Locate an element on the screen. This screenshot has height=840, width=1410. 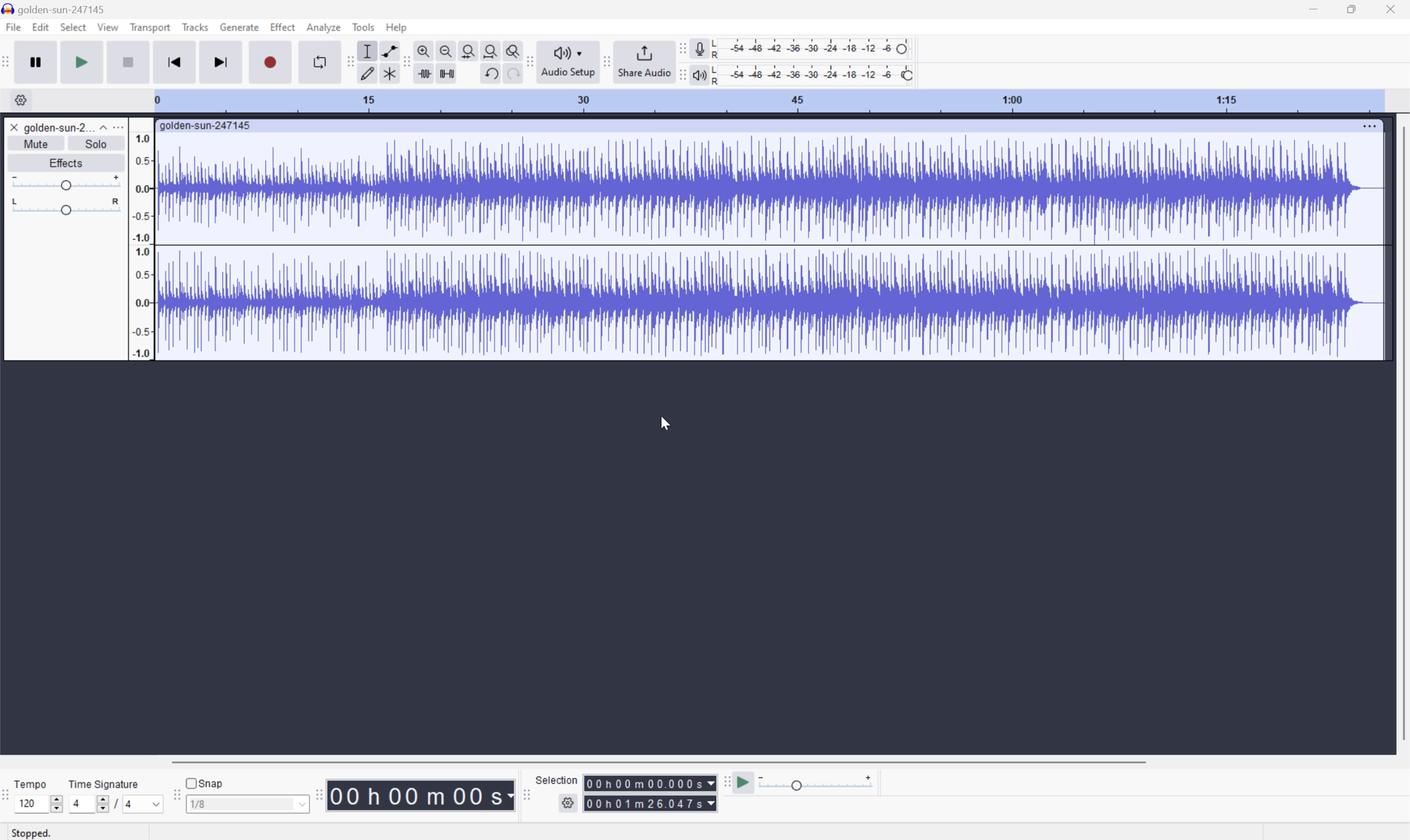
Selection is located at coordinates (556, 779).